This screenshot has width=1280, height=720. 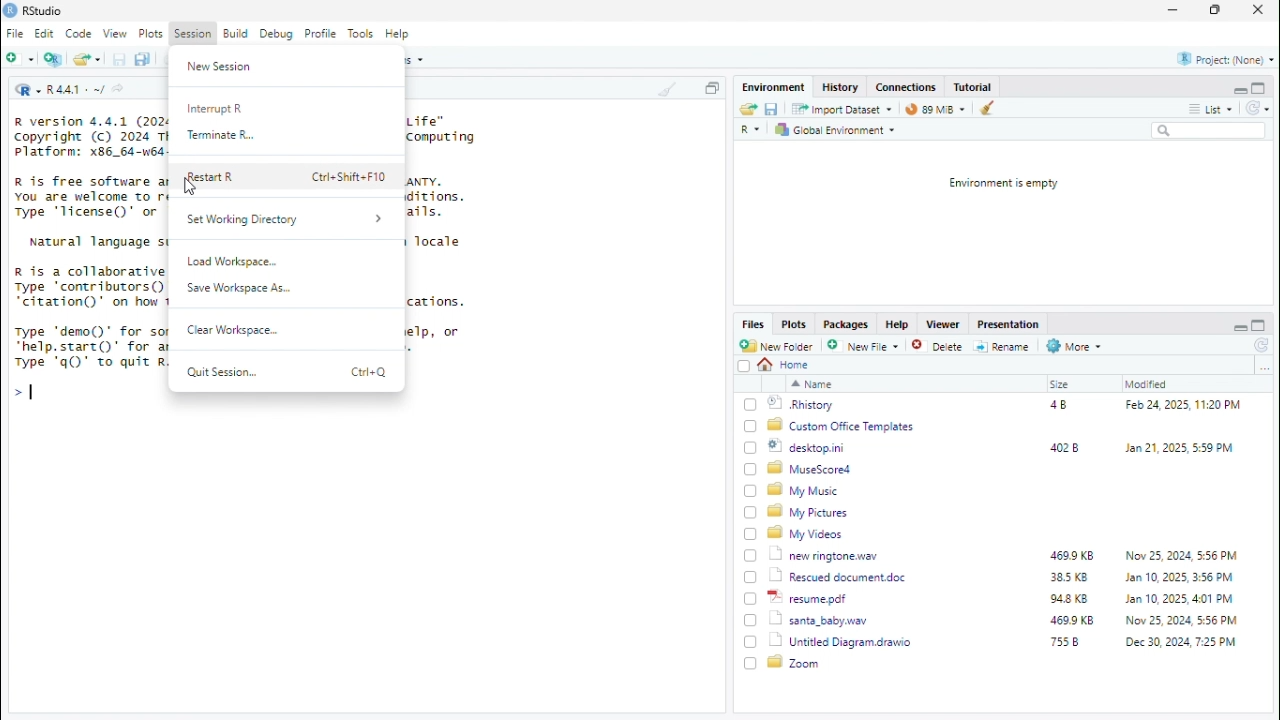 What do you see at coordinates (1061, 384) in the screenshot?
I see `Size` at bounding box center [1061, 384].